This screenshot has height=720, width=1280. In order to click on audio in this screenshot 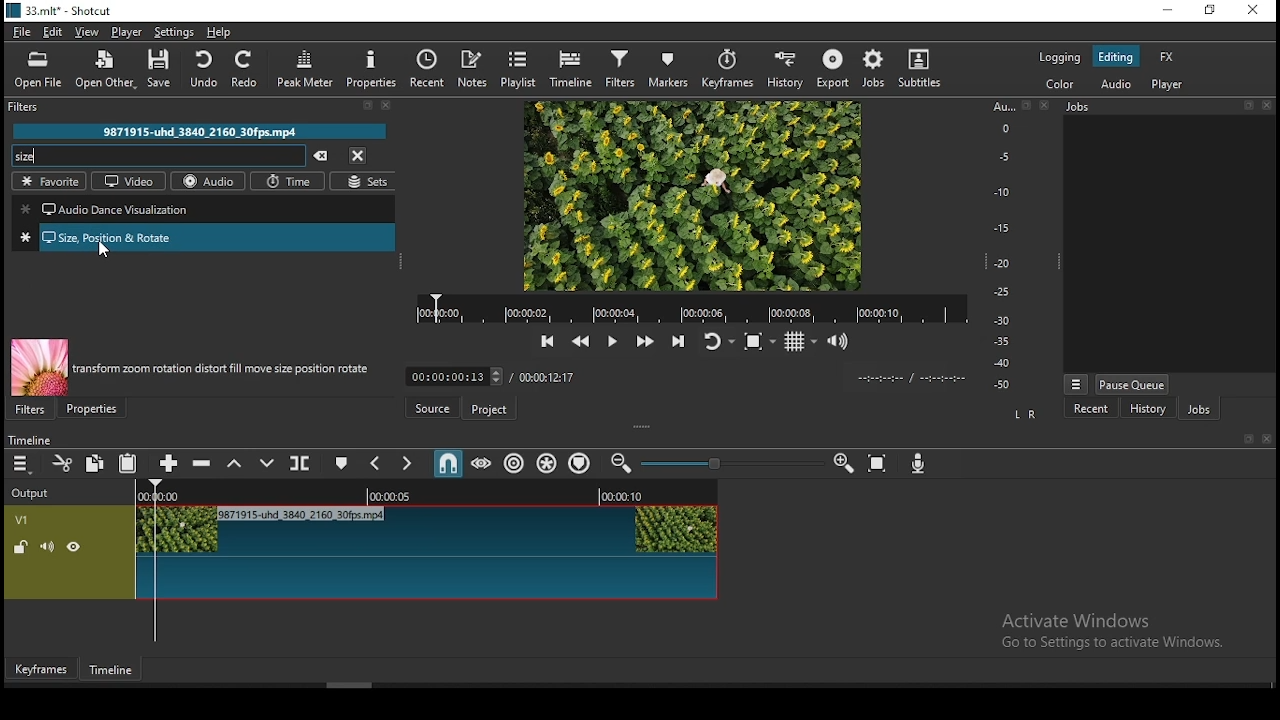, I will do `click(209, 181)`.